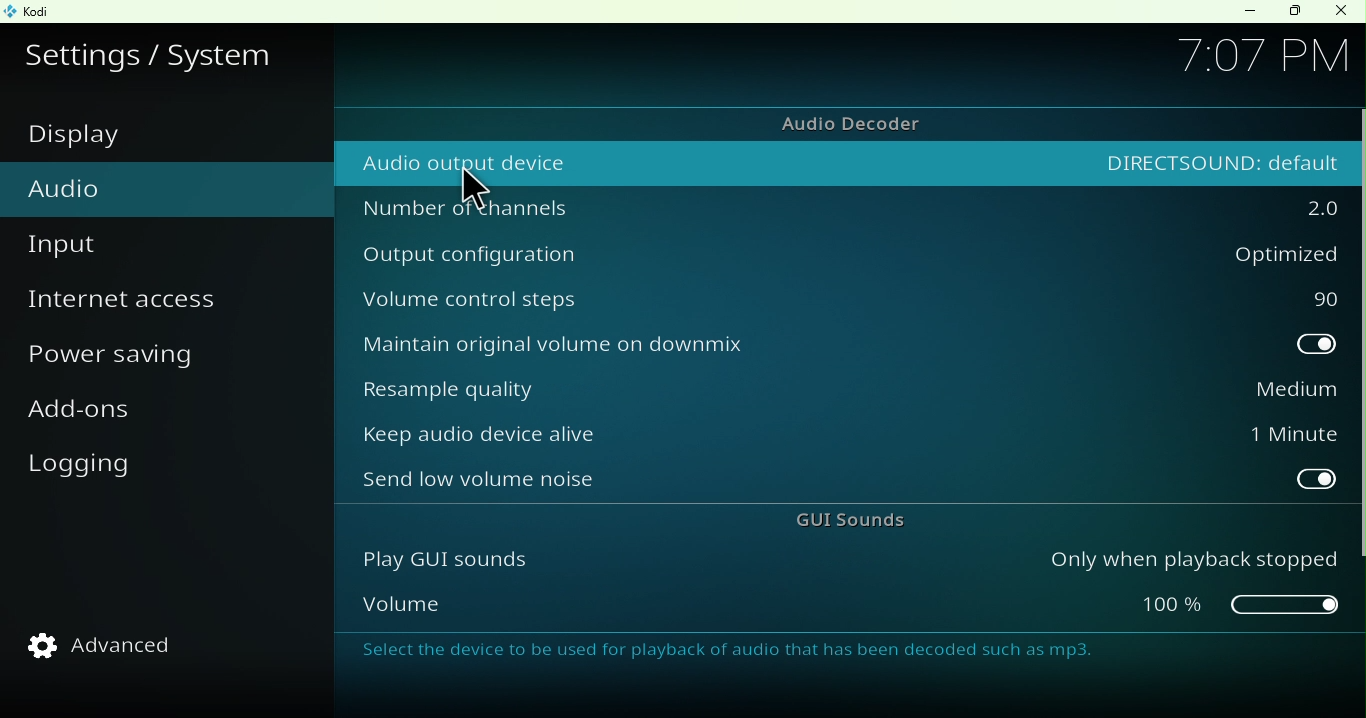 This screenshot has width=1366, height=718. What do you see at coordinates (1223, 480) in the screenshot?
I see `toggle` at bounding box center [1223, 480].